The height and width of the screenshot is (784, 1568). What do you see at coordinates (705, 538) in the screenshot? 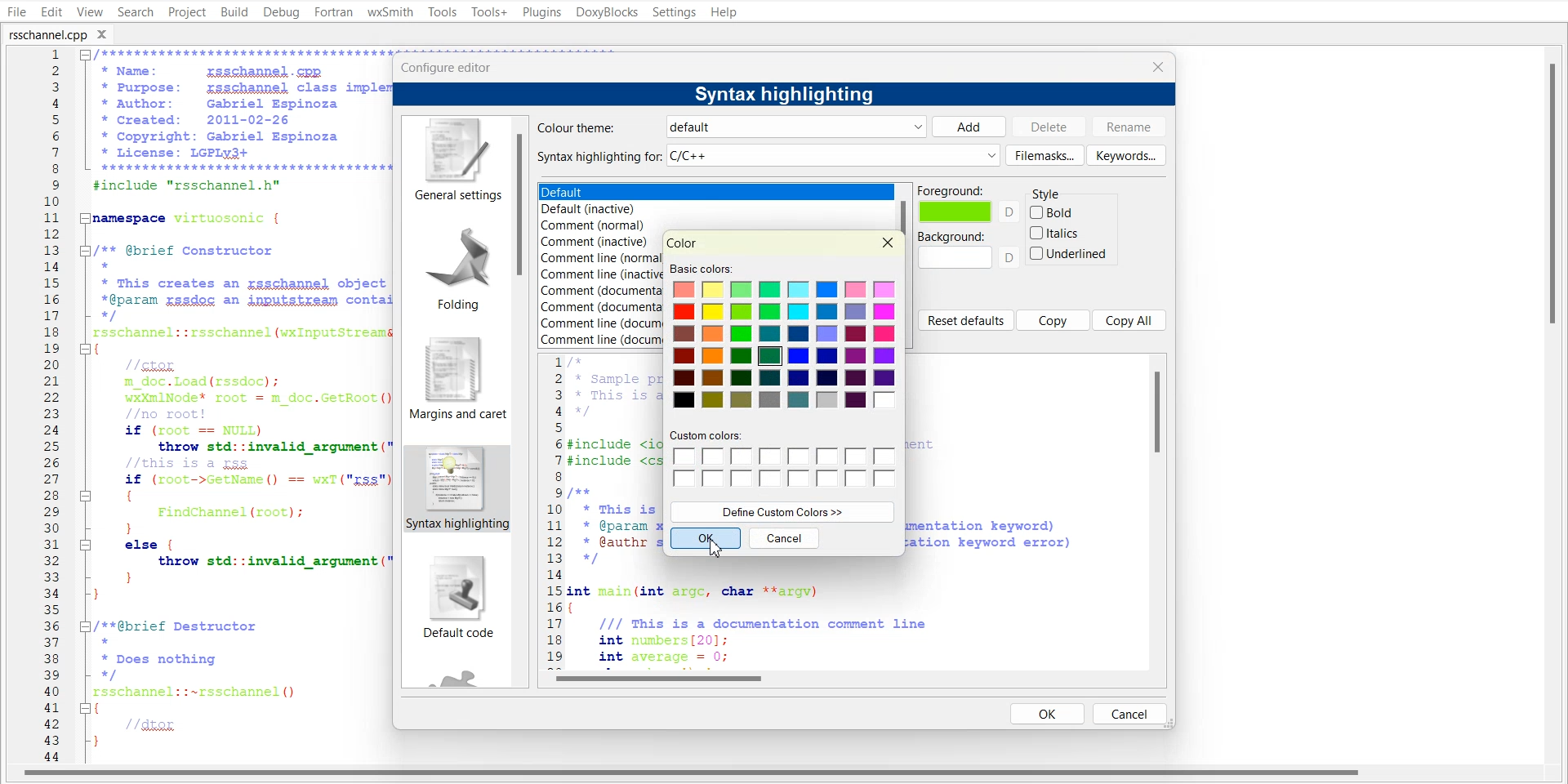
I see `OK` at bounding box center [705, 538].